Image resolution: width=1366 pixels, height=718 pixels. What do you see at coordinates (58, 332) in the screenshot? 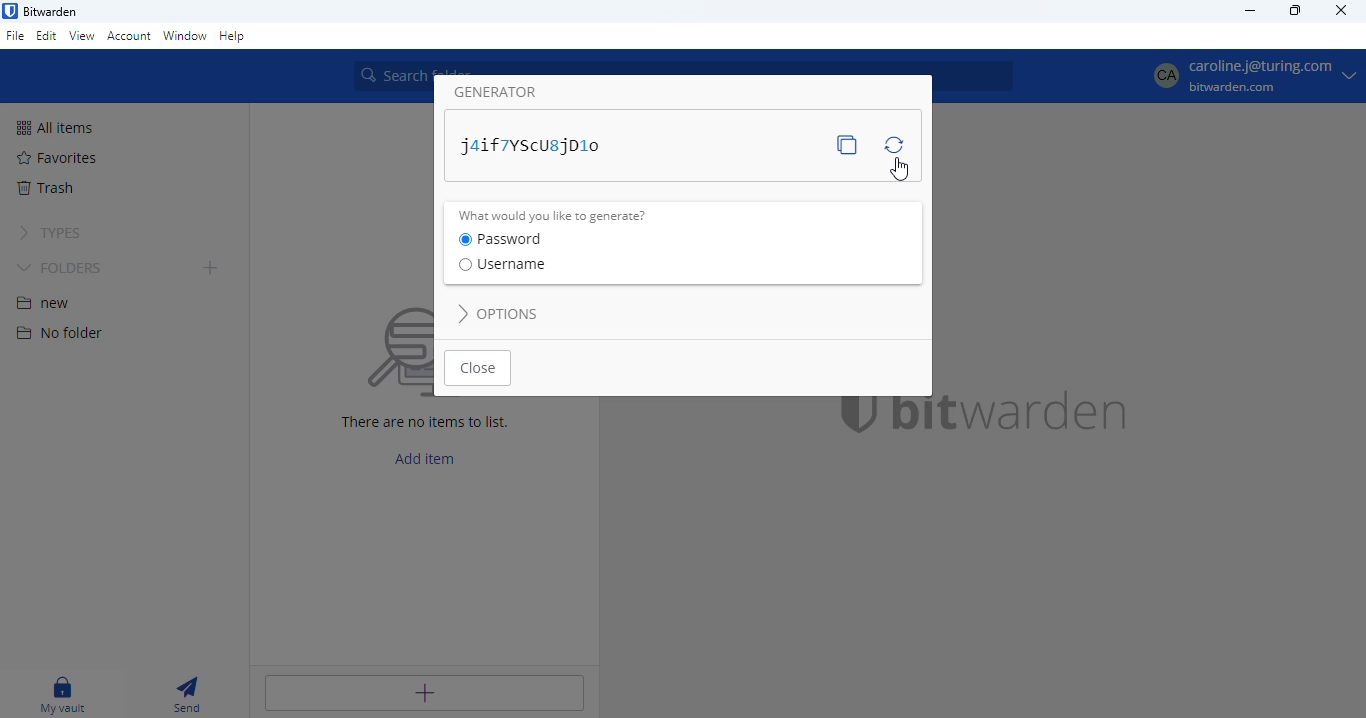
I see `no folder` at bounding box center [58, 332].